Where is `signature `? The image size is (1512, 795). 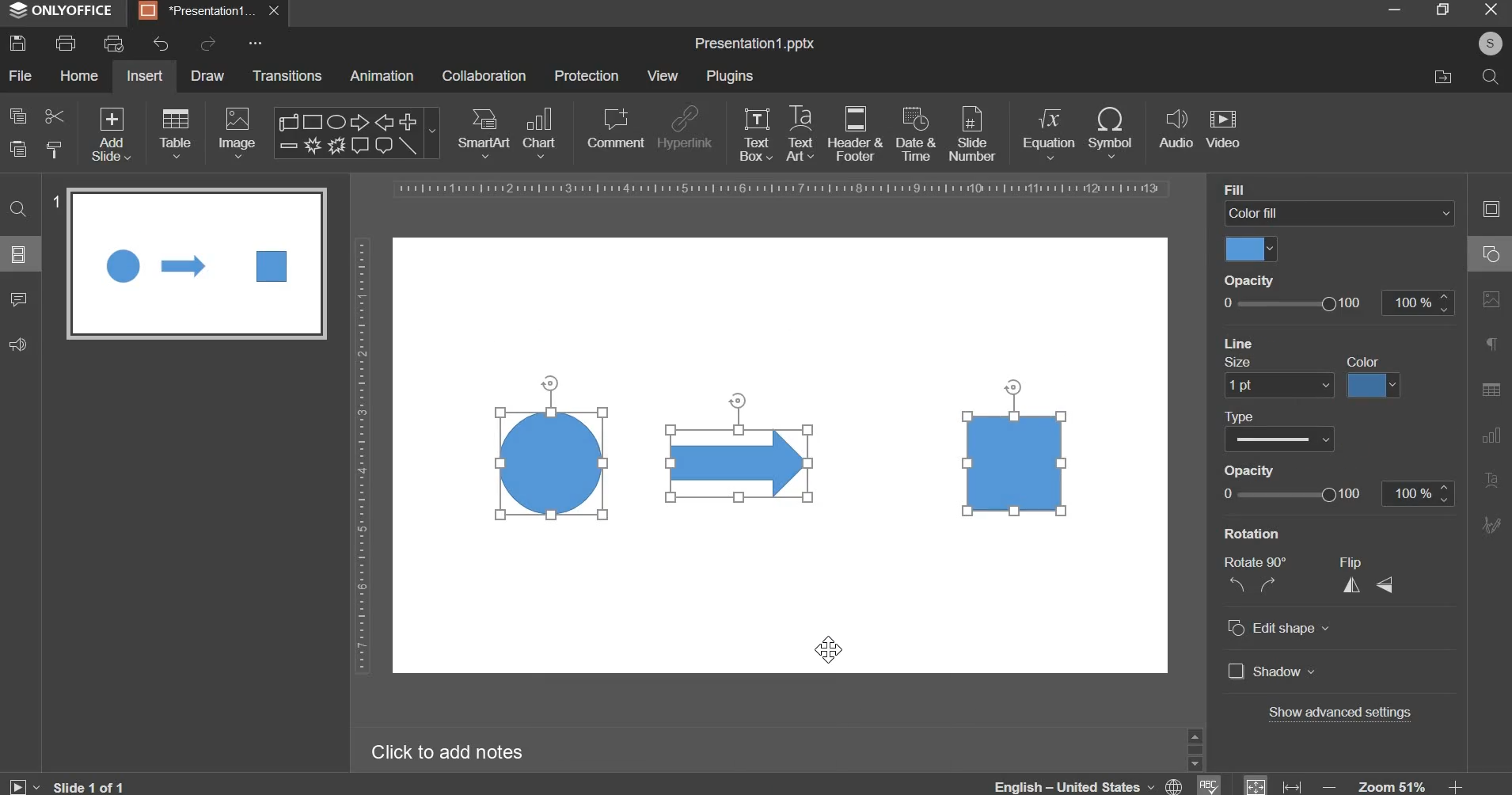
signature  is located at coordinates (1491, 524).